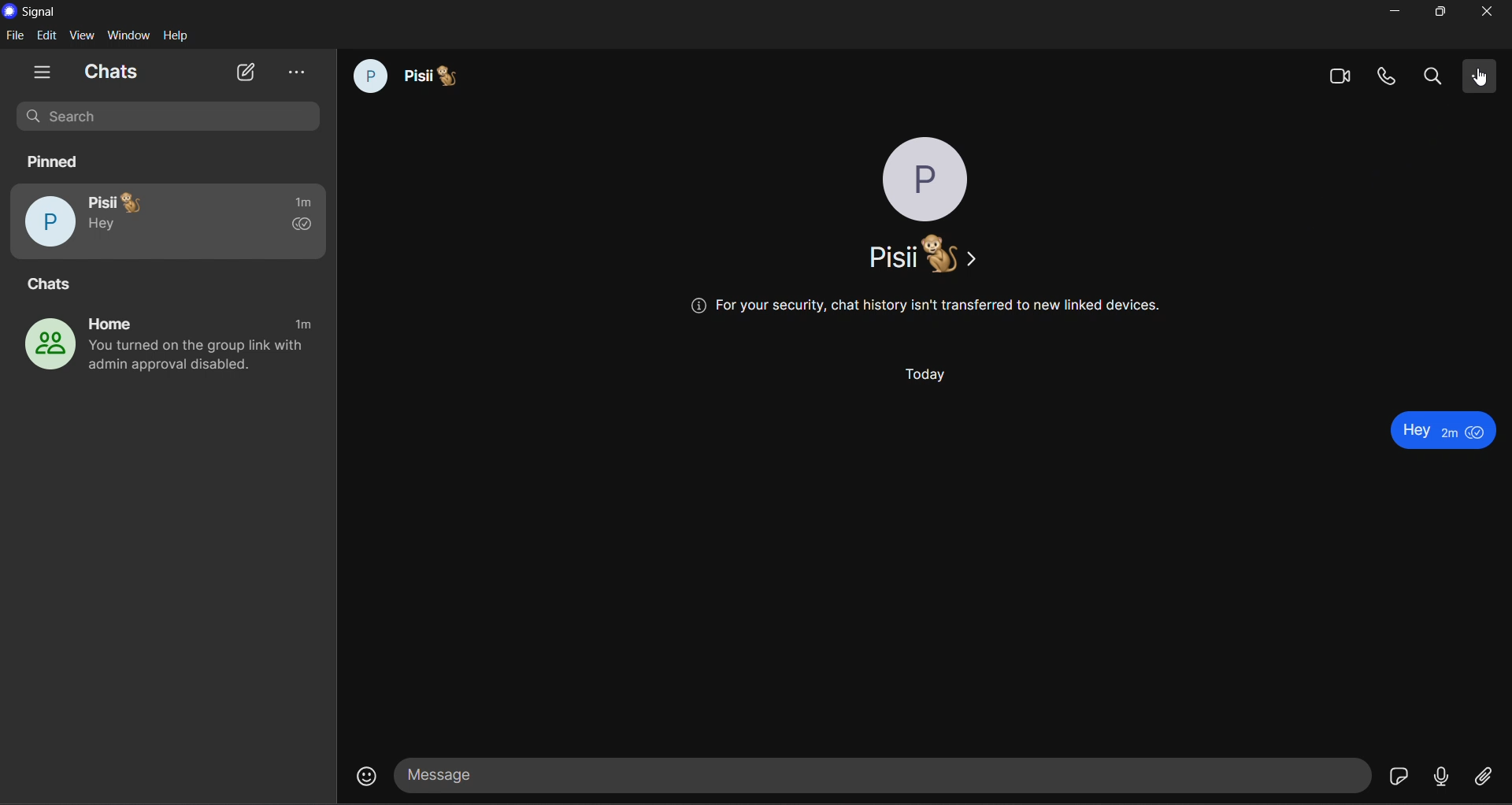 The width and height of the screenshot is (1512, 805). I want to click on view archive, so click(298, 72).